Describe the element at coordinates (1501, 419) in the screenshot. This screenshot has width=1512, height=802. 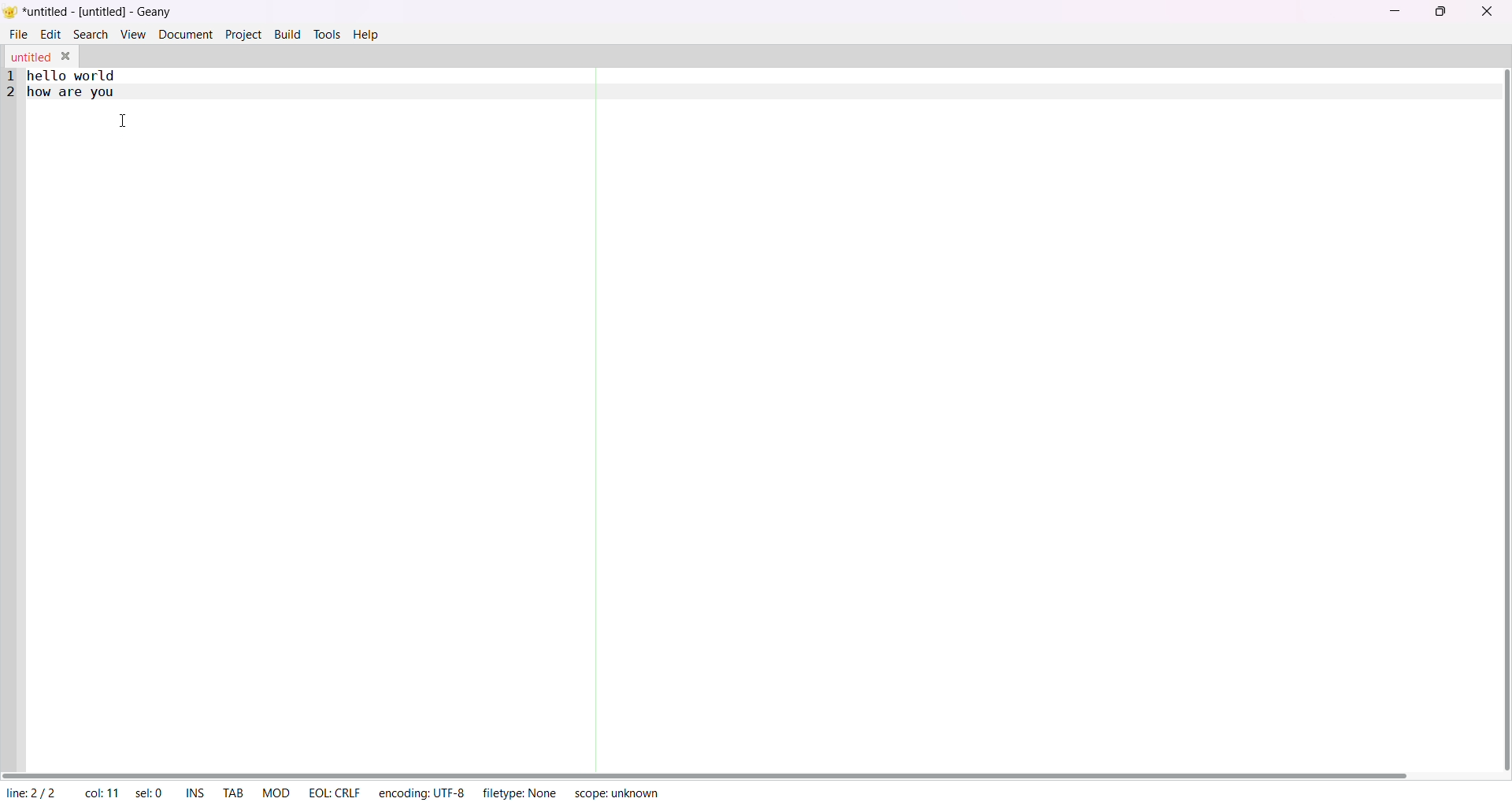
I see `vertical scroll bar` at that location.